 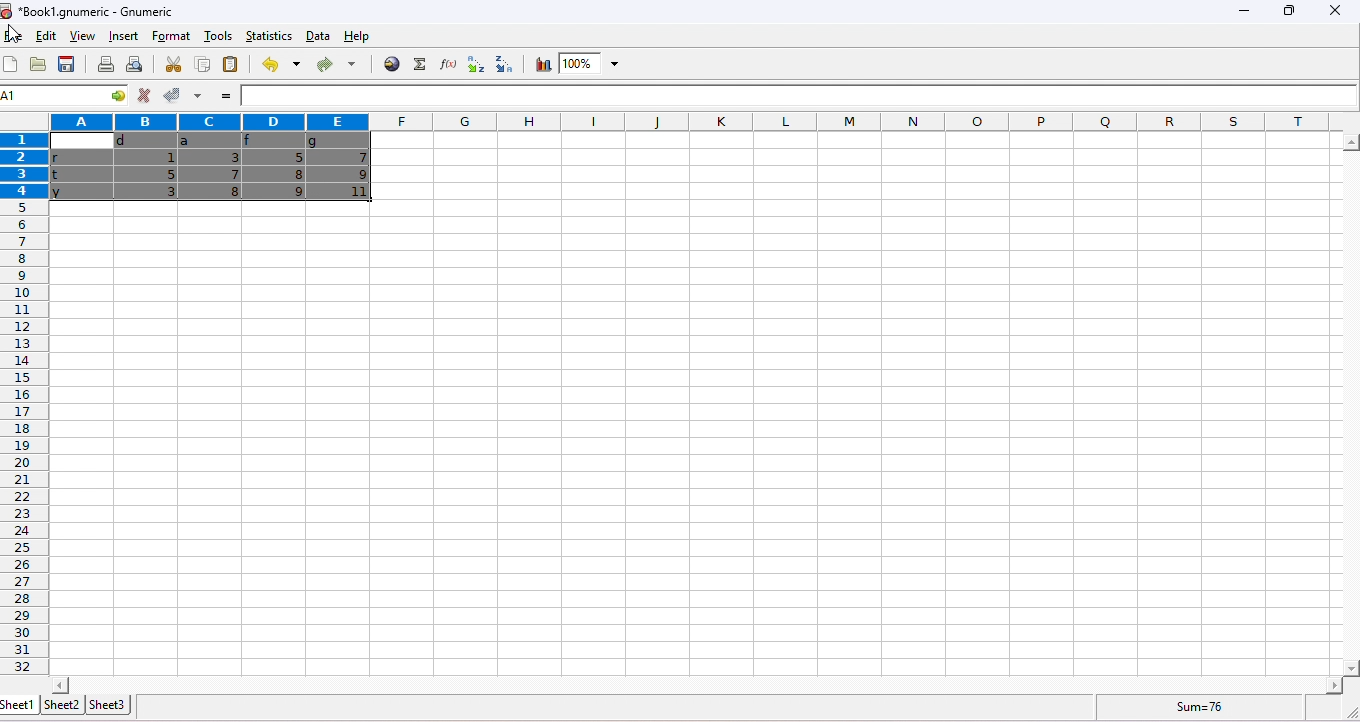 I want to click on new, so click(x=12, y=65).